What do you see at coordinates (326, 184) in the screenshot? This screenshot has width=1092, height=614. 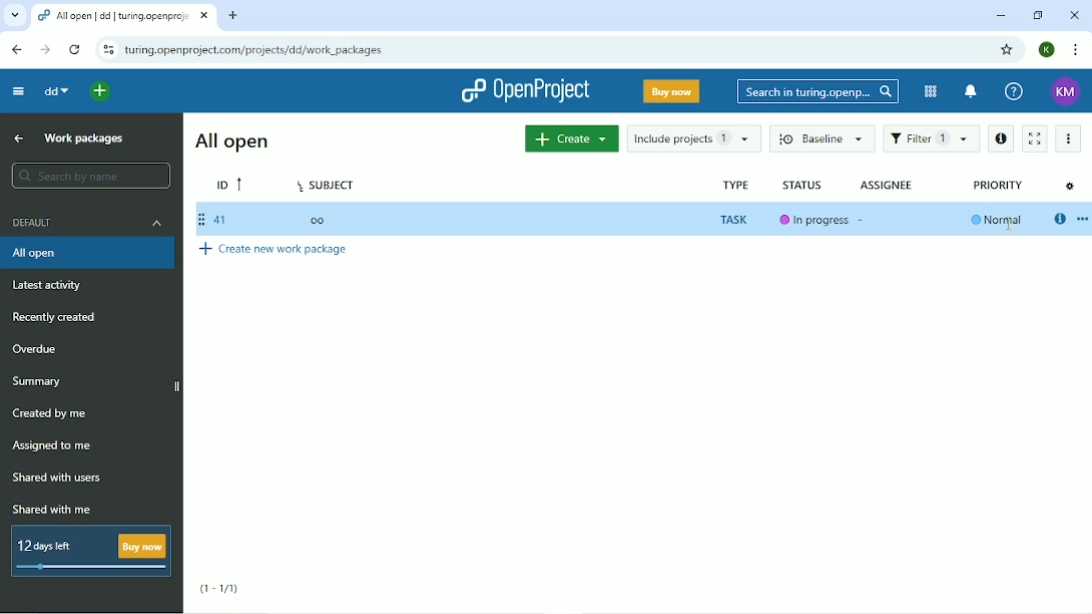 I see `Subject` at bounding box center [326, 184].